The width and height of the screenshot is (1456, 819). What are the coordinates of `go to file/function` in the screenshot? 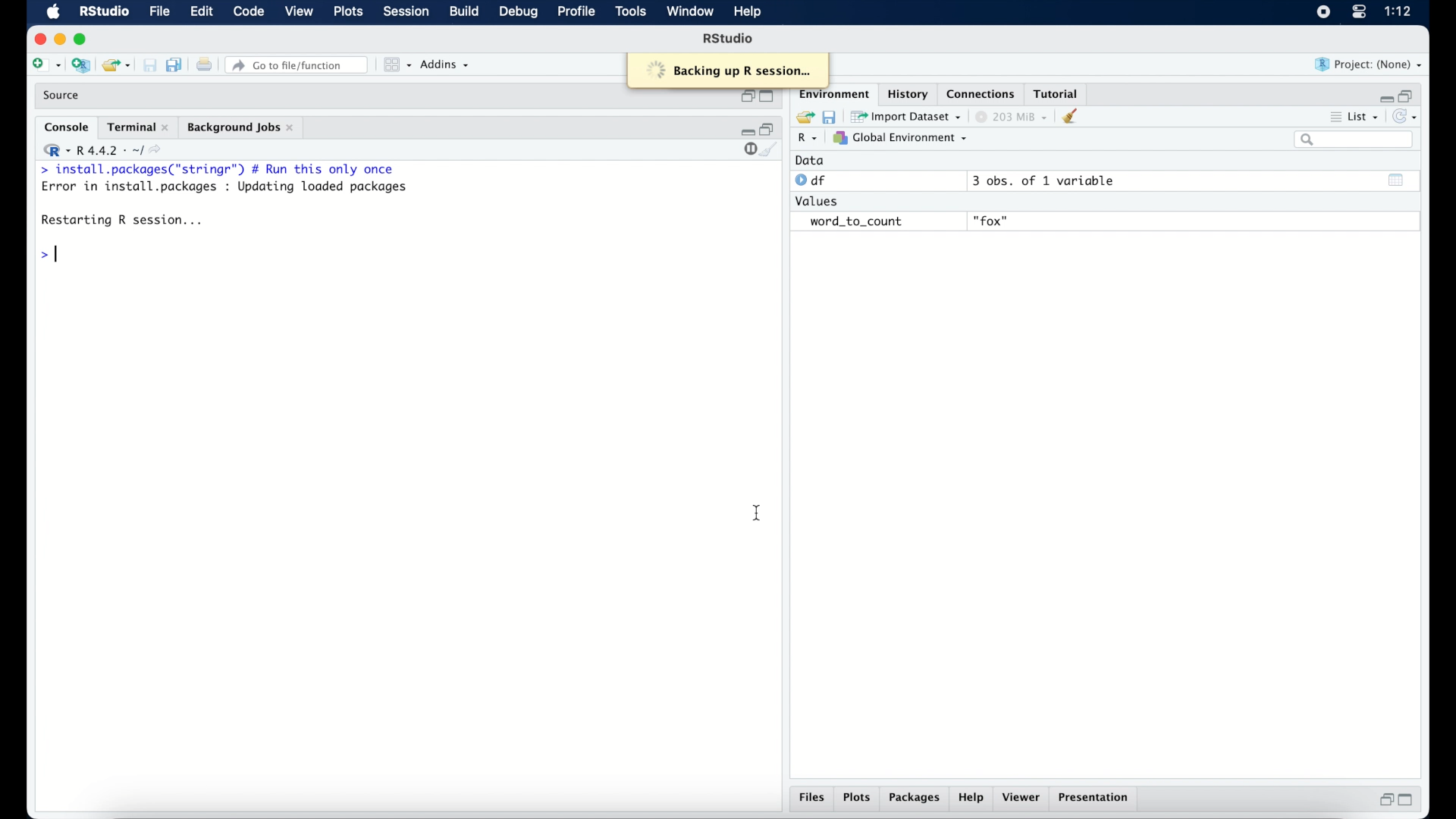 It's located at (300, 65).